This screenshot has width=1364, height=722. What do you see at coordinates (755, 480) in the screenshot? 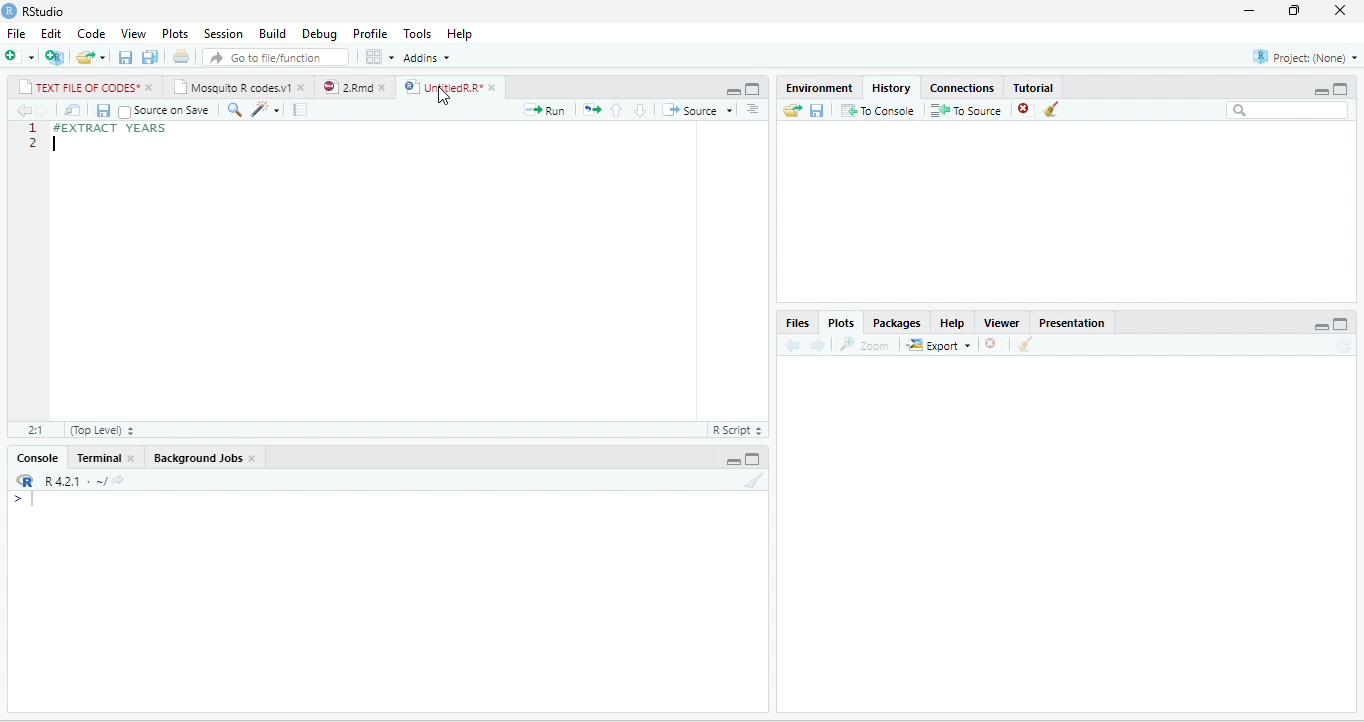
I see `clear` at bounding box center [755, 480].